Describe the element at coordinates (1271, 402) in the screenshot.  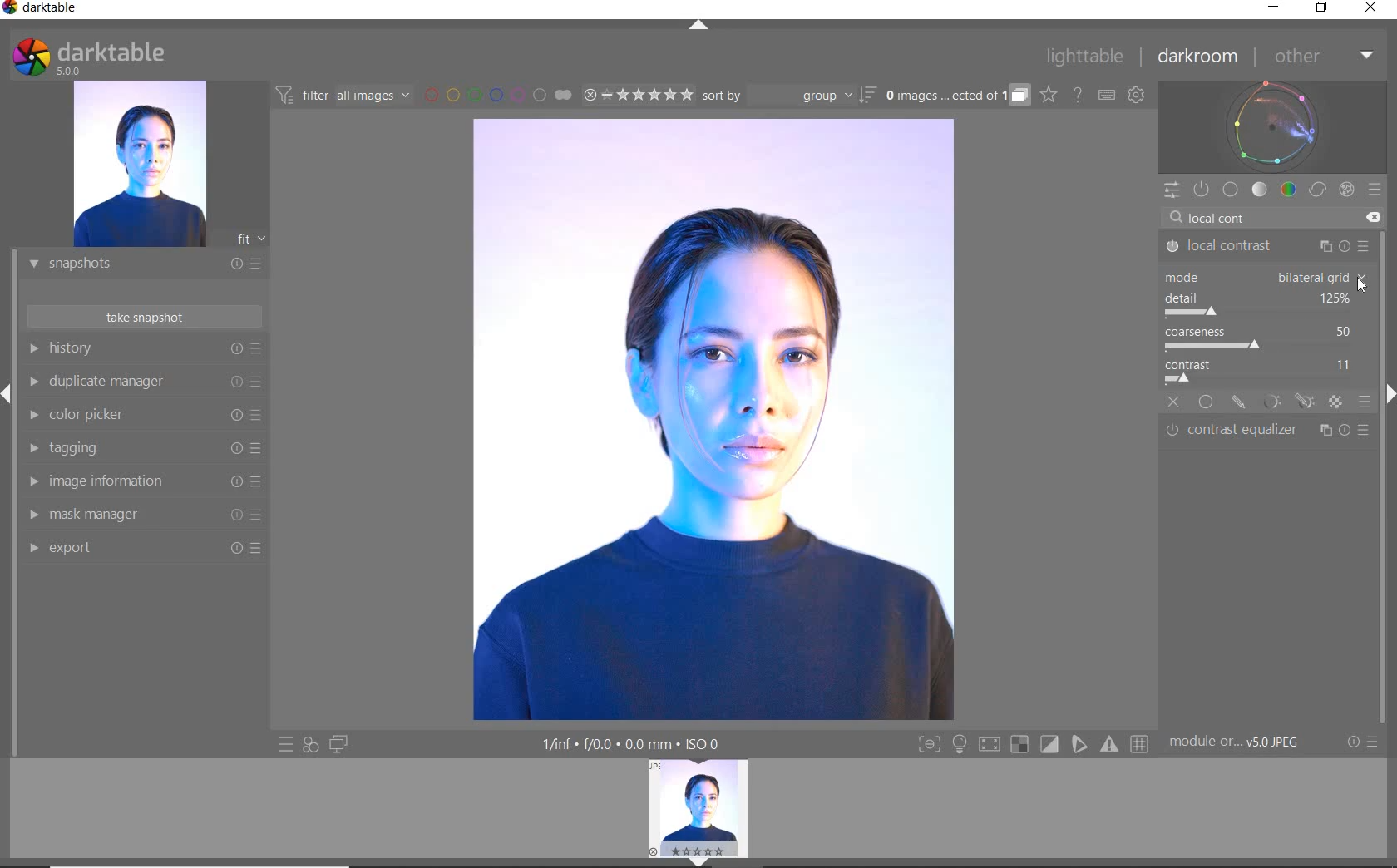
I see `MASK OPTION` at that location.